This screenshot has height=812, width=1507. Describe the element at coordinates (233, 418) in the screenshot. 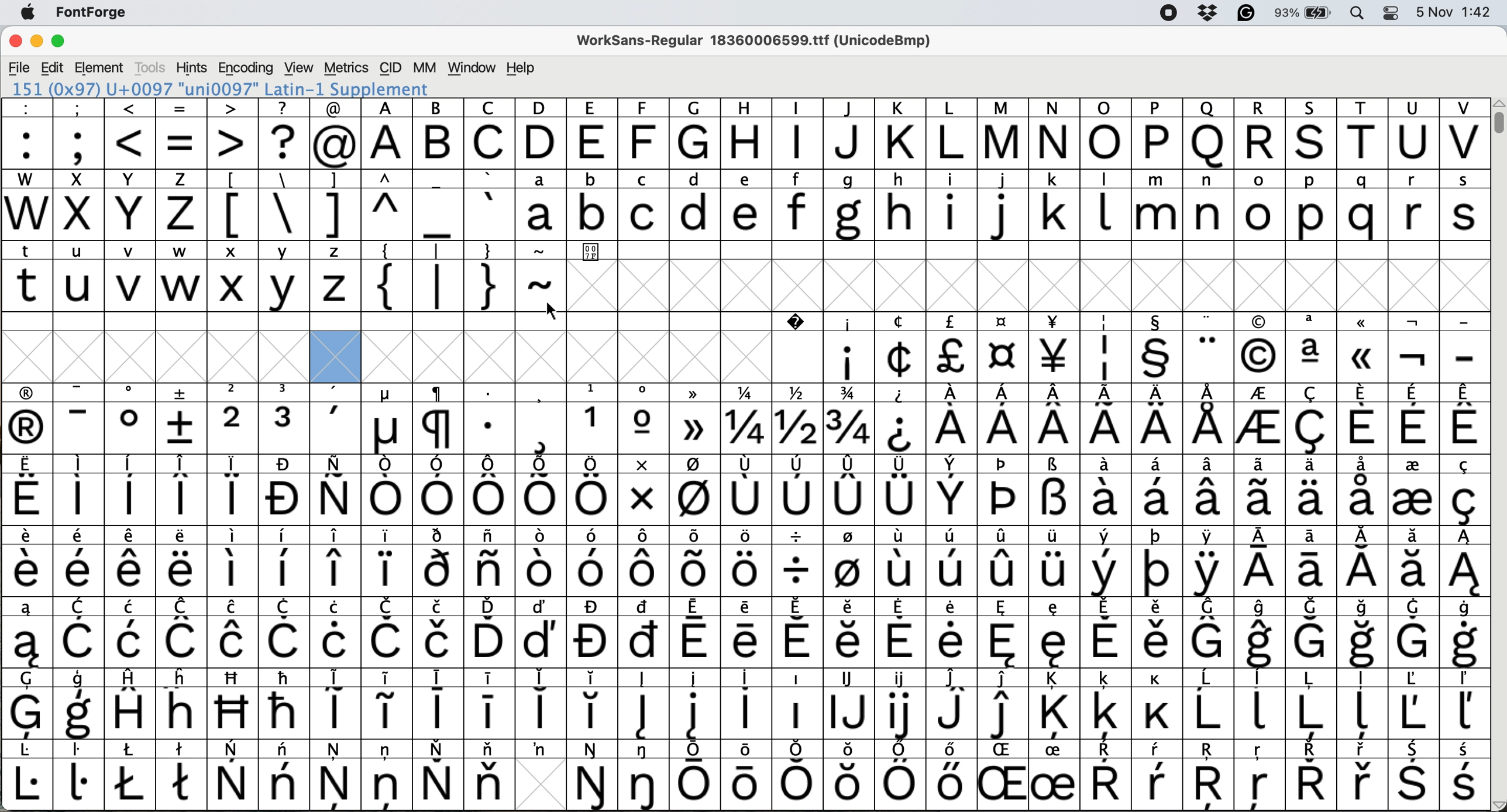

I see `2` at that location.